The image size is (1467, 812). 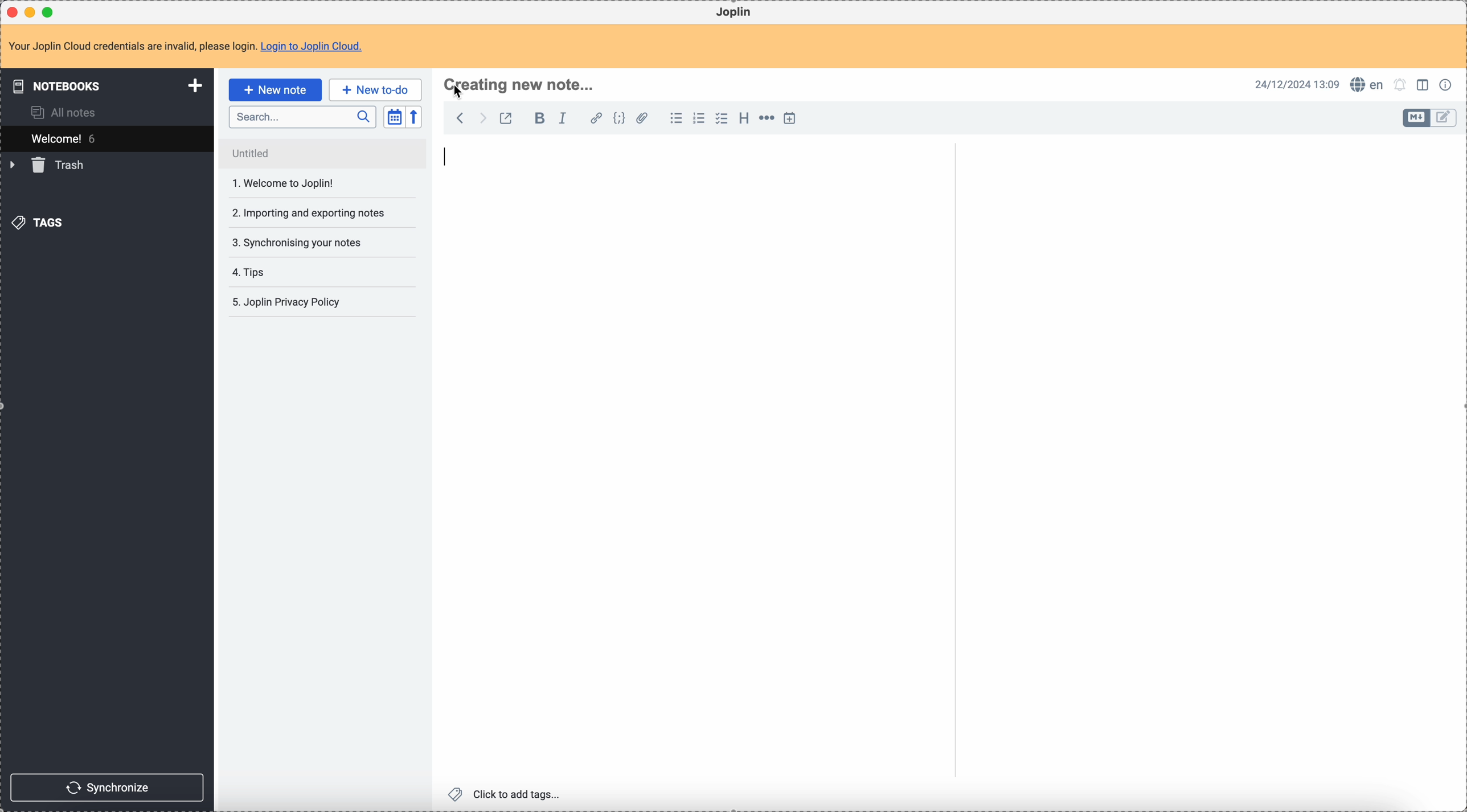 What do you see at coordinates (460, 93) in the screenshot?
I see `cursor` at bounding box center [460, 93].